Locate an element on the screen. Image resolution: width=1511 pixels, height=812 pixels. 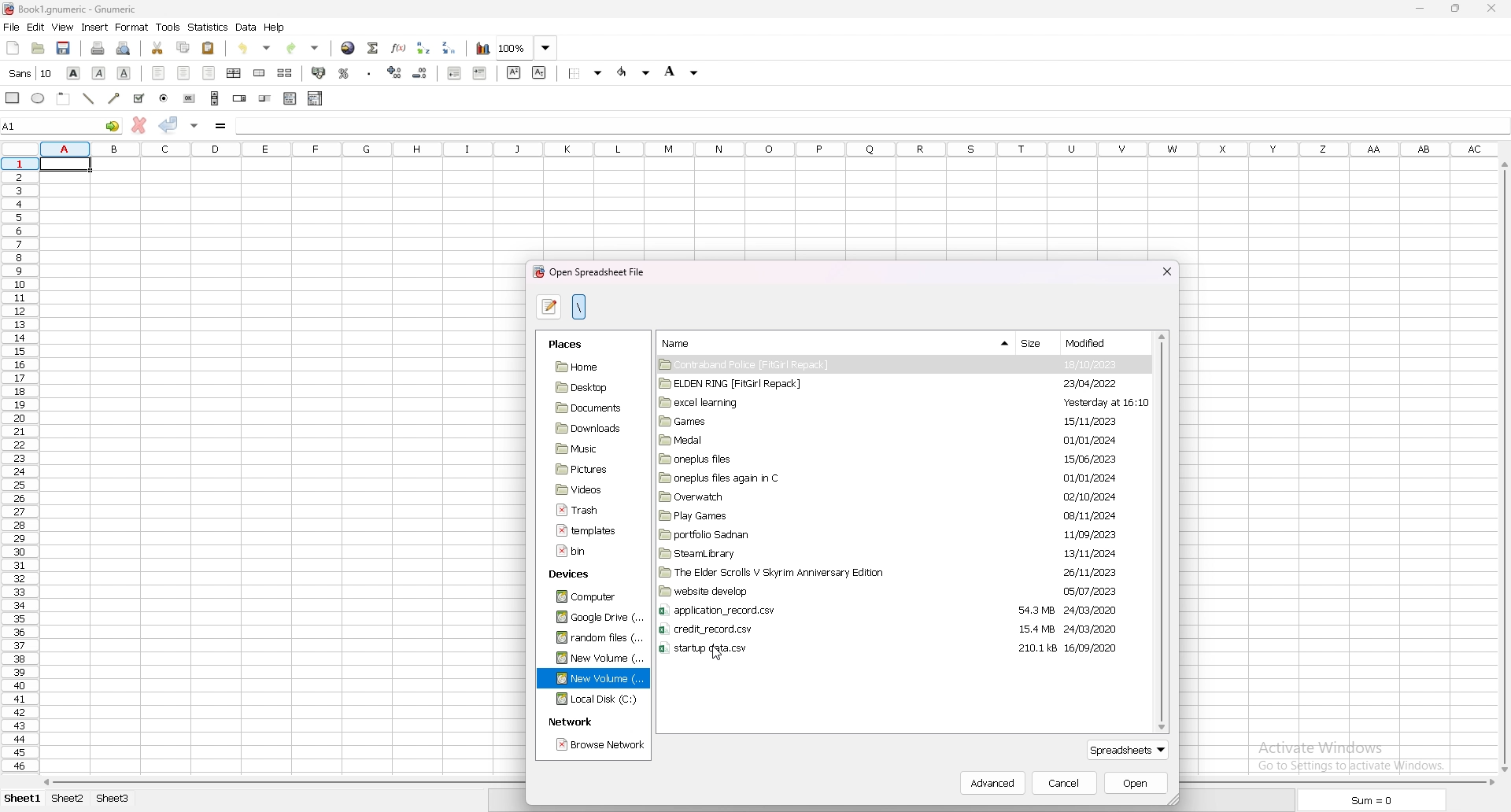
increase indent is located at coordinates (480, 73).